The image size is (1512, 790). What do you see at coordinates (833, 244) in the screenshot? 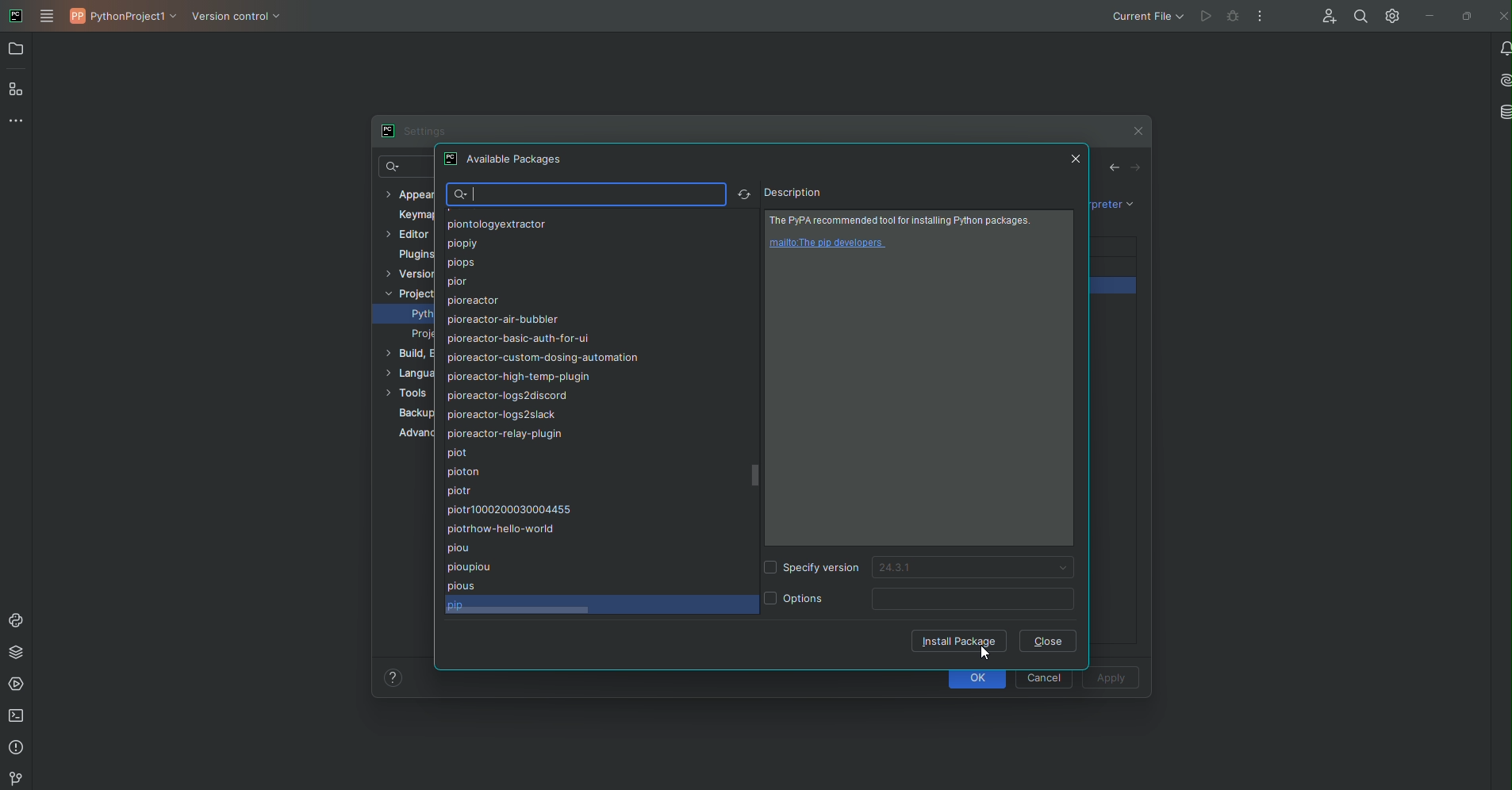
I see `Pip developers` at bounding box center [833, 244].